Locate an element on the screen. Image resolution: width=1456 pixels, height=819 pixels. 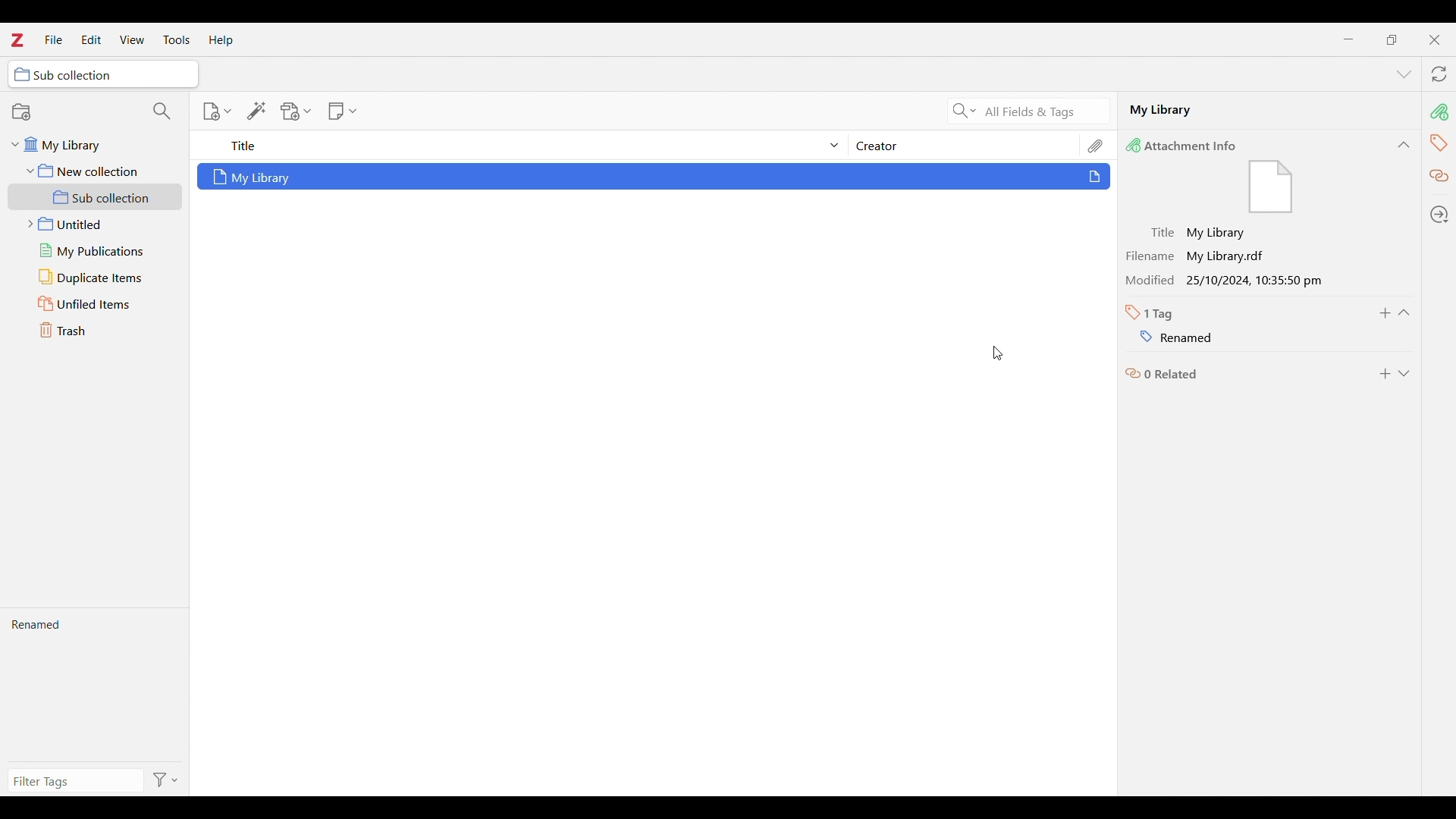
Software logo is located at coordinates (16, 39).